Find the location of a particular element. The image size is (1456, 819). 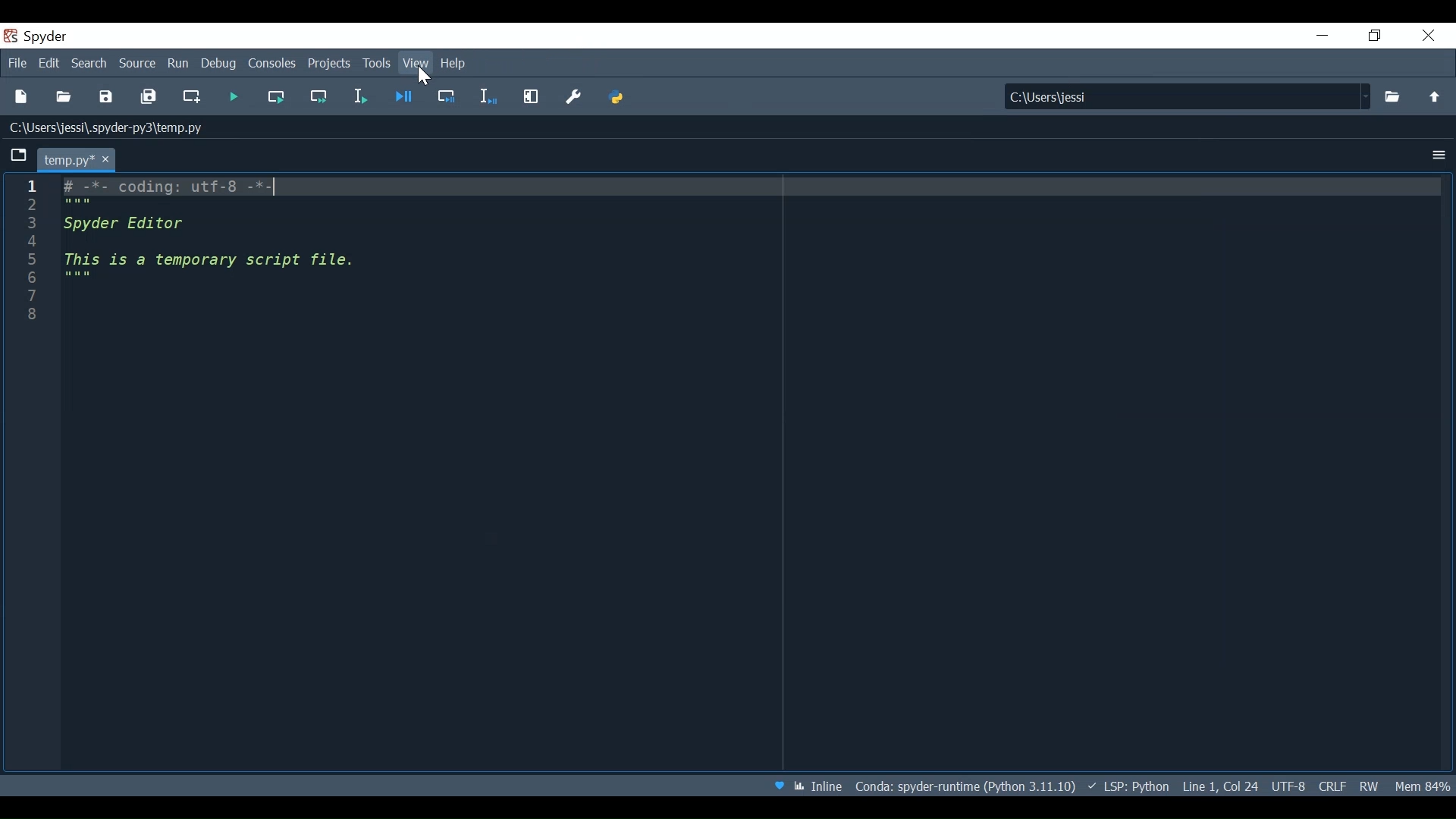

Create new cell at the current line is located at coordinates (193, 99).